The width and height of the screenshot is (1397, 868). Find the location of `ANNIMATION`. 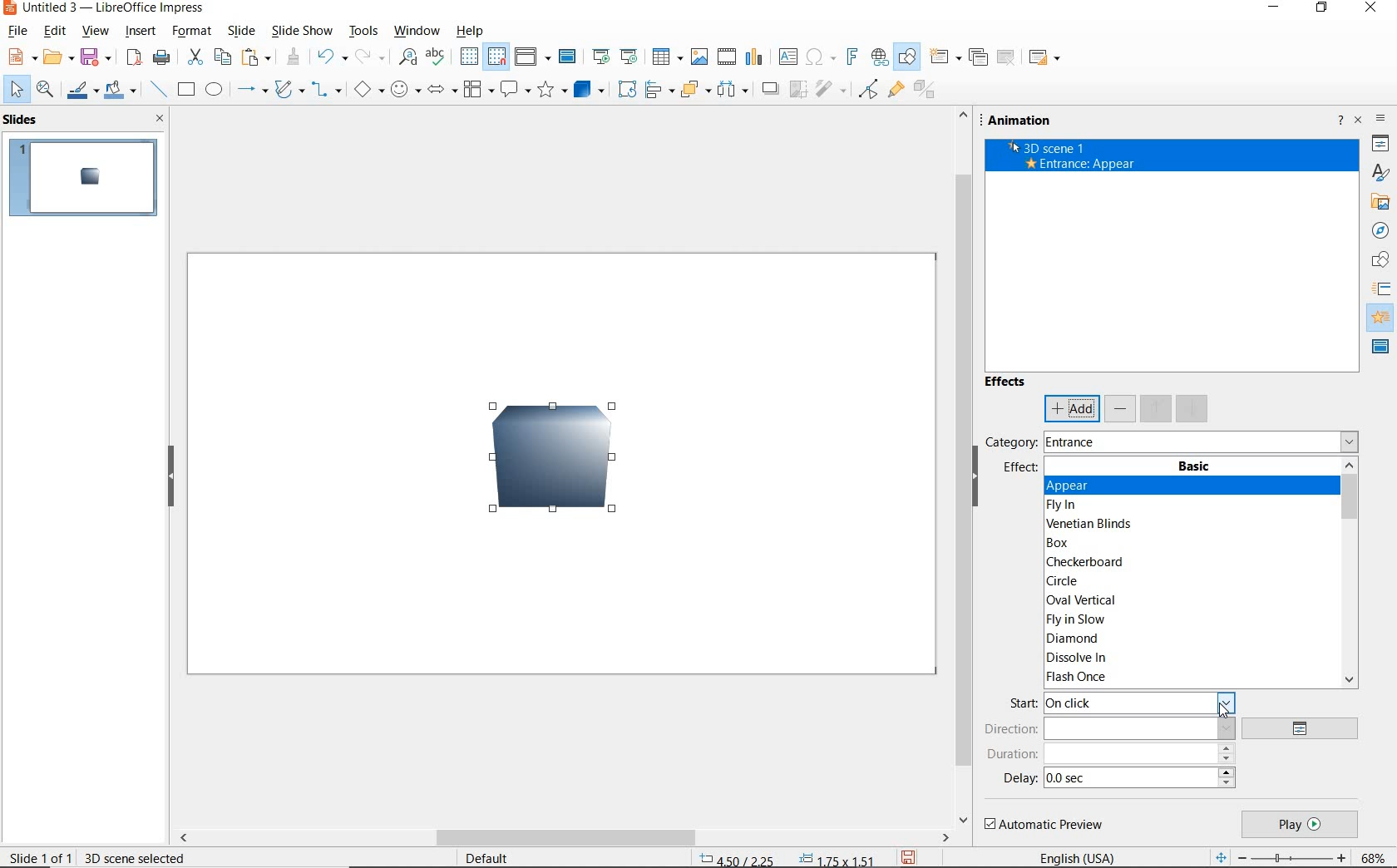

ANNIMATION is located at coordinates (1382, 317).